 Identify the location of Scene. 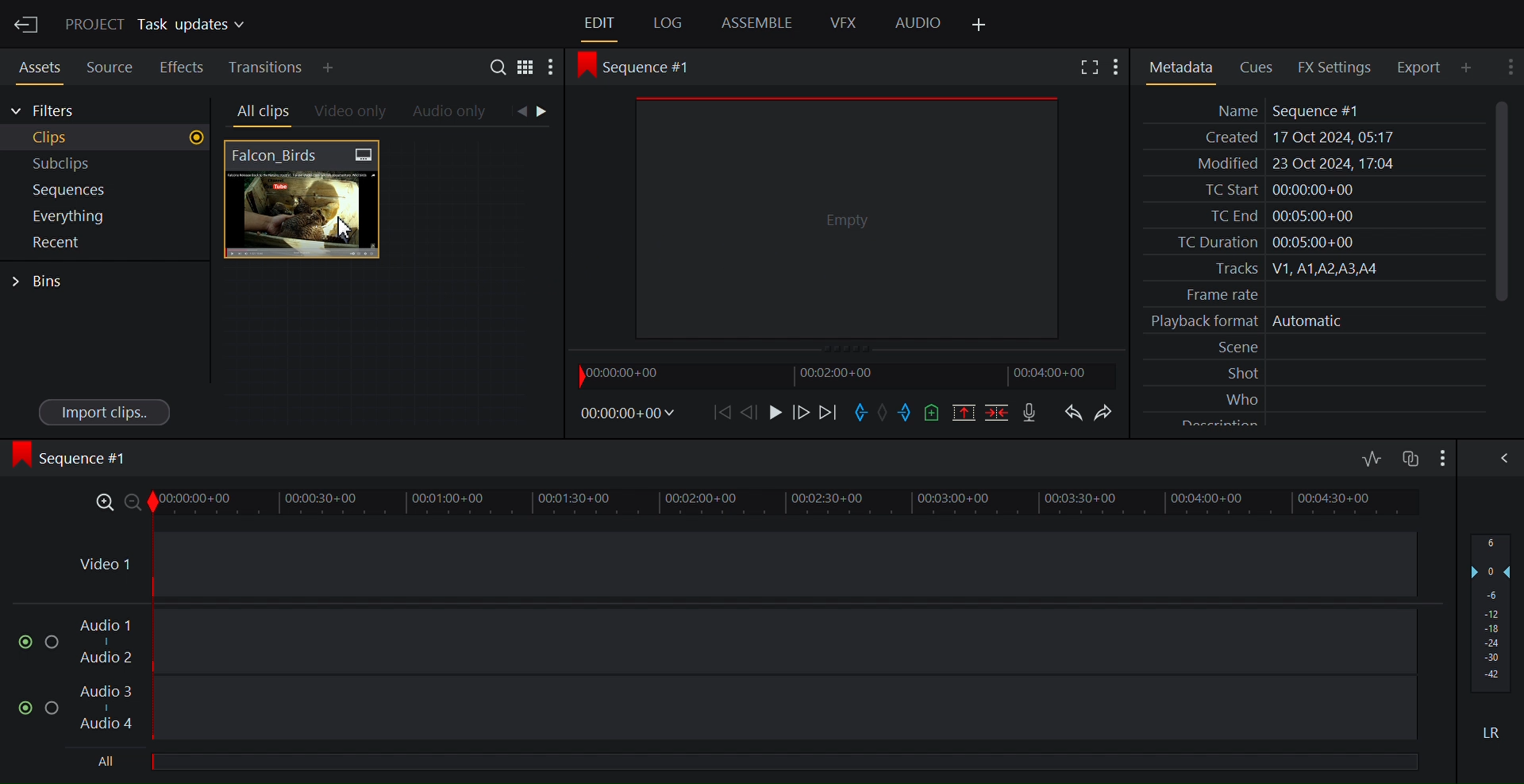
(1316, 348).